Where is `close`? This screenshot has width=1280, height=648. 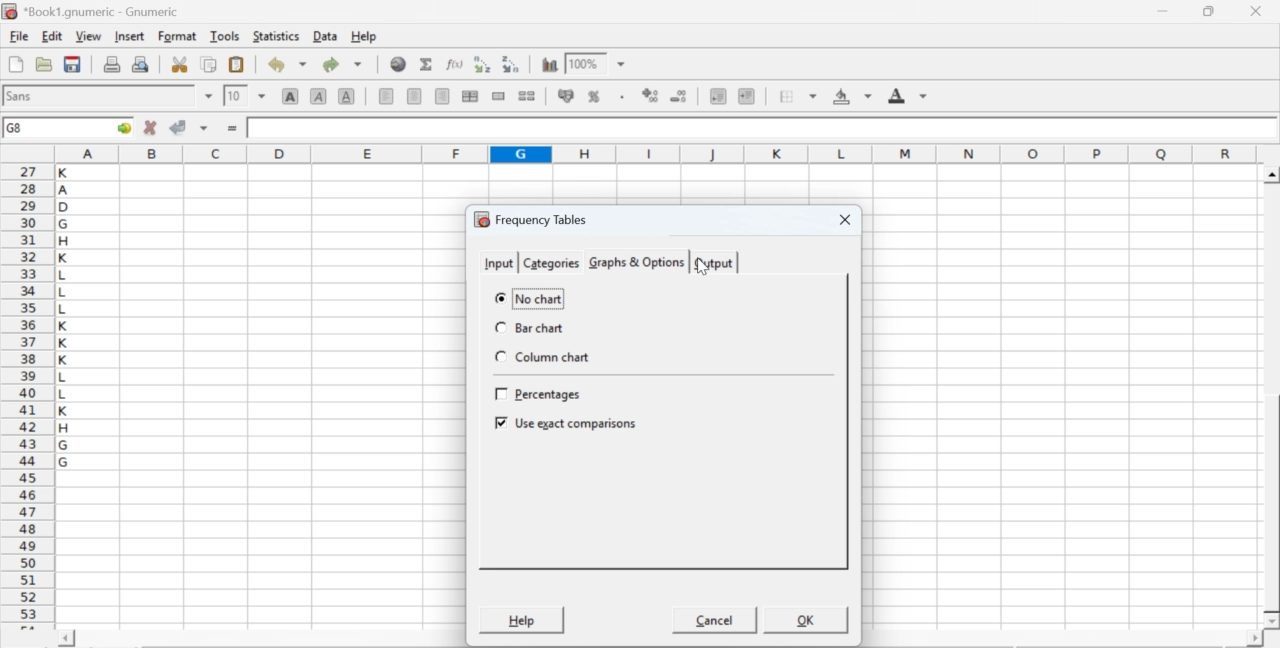
close is located at coordinates (842, 221).